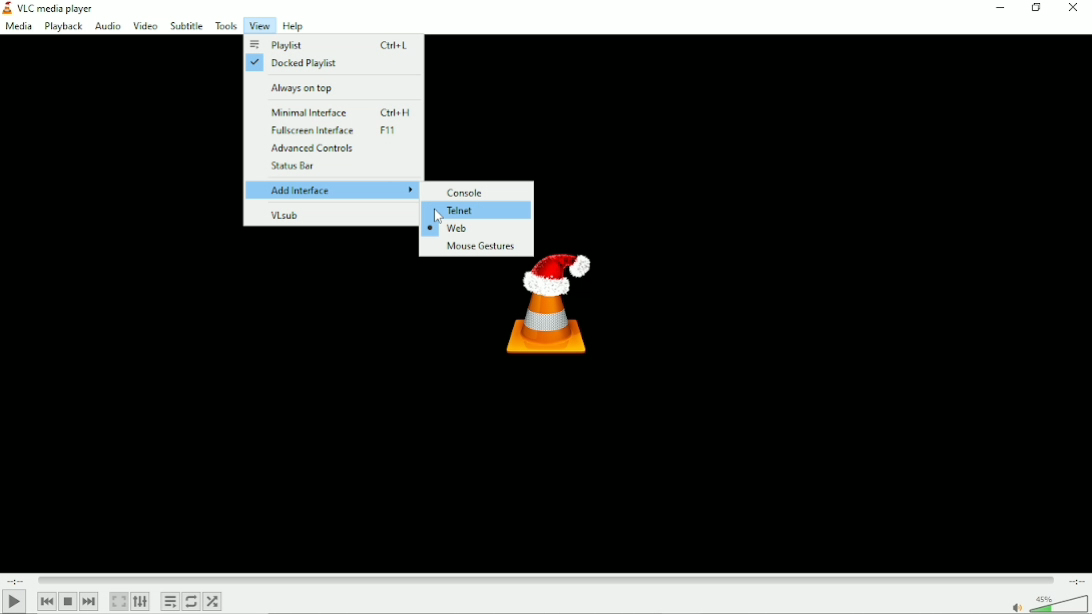 The height and width of the screenshot is (614, 1092). What do you see at coordinates (320, 148) in the screenshot?
I see `Advanced controls` at bounding box center [320, 148].